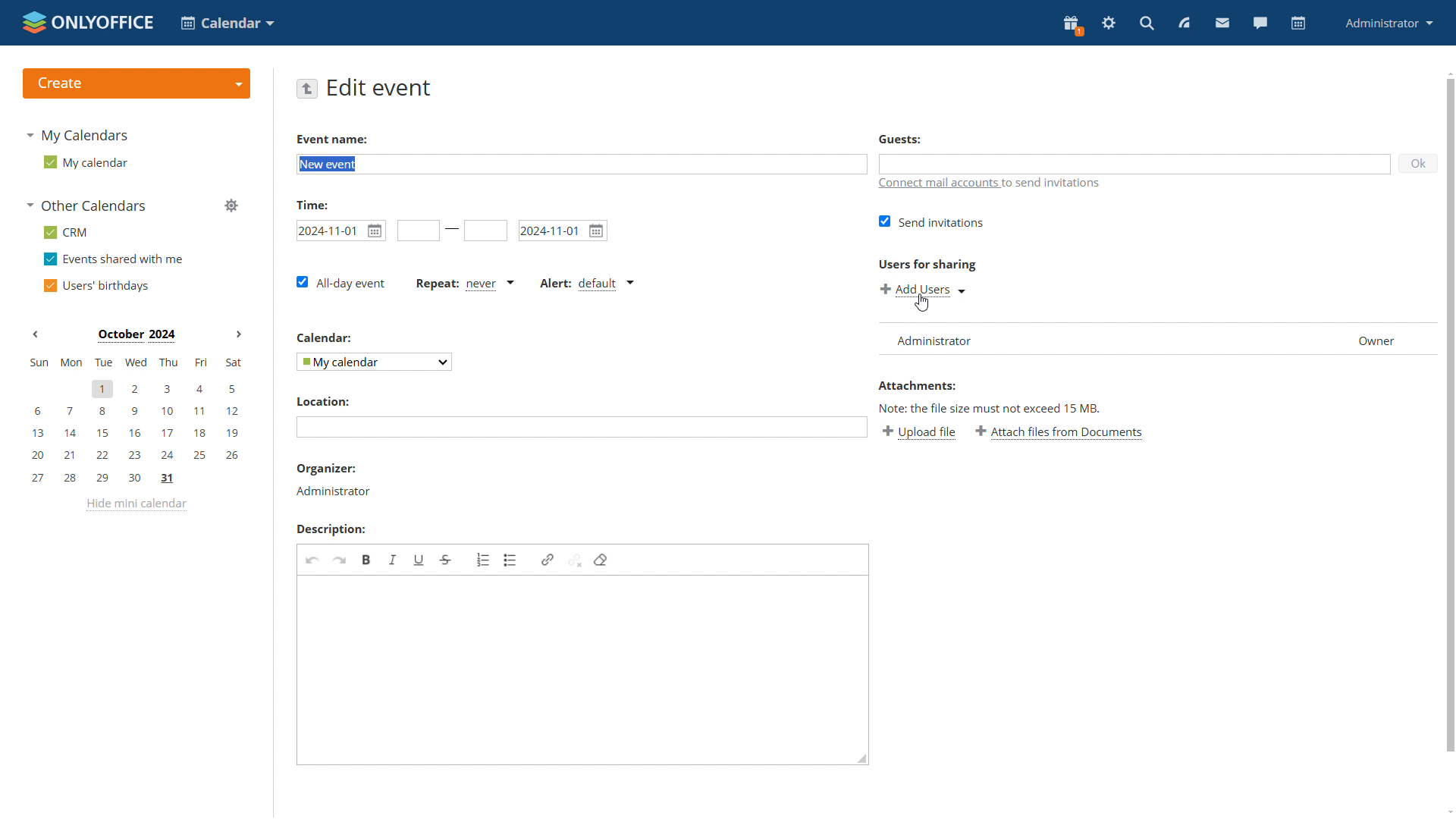 The image size is (1456, 819). What do you see at coordinates (1389, 23) in the screenshot?
I see `administrator` at bounding box center [1389, 23].